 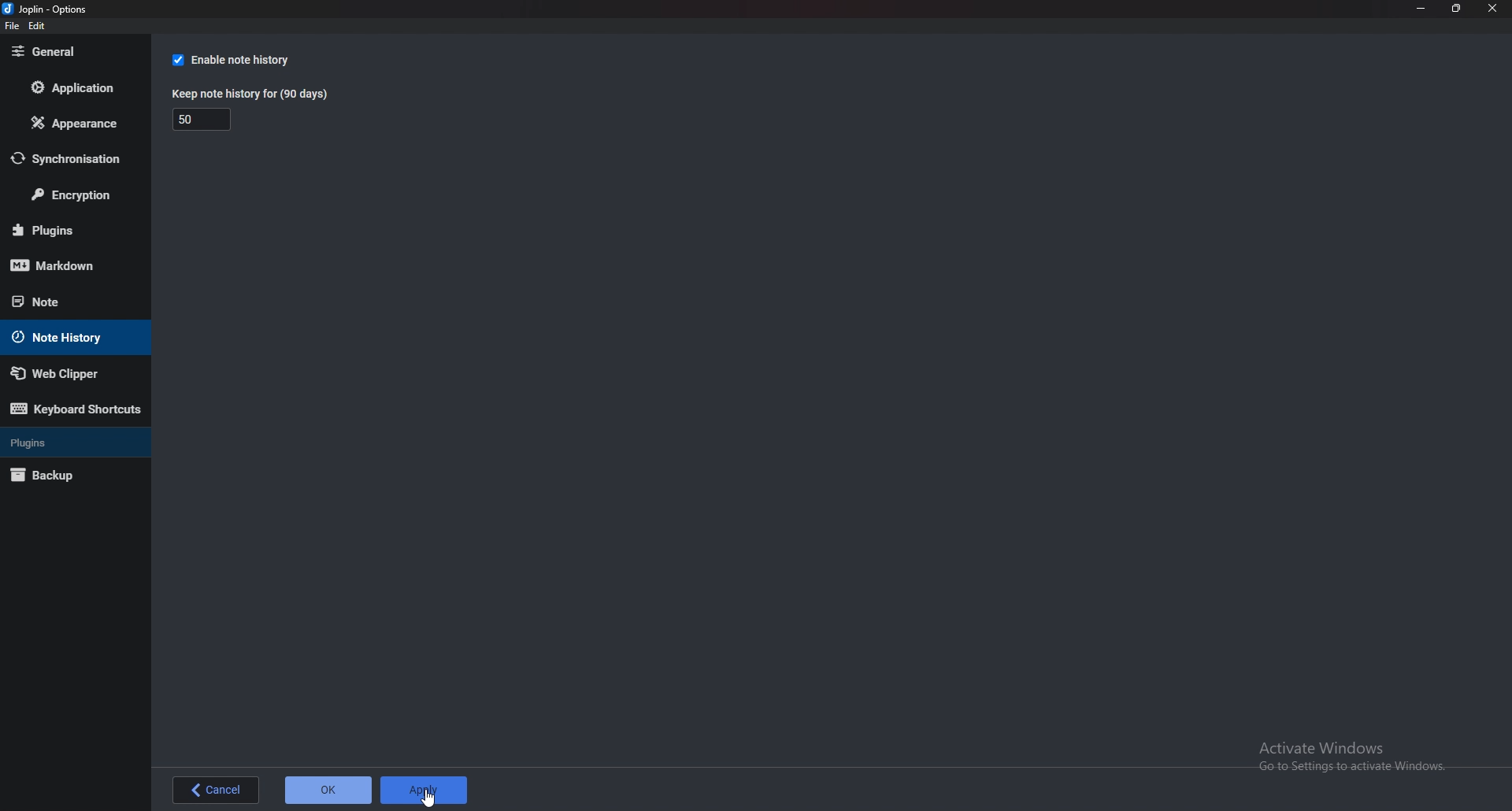 What do you see at coordinates (66, 231) in the screenshot?
I see `Plugins` at bounding box center [66, 231].